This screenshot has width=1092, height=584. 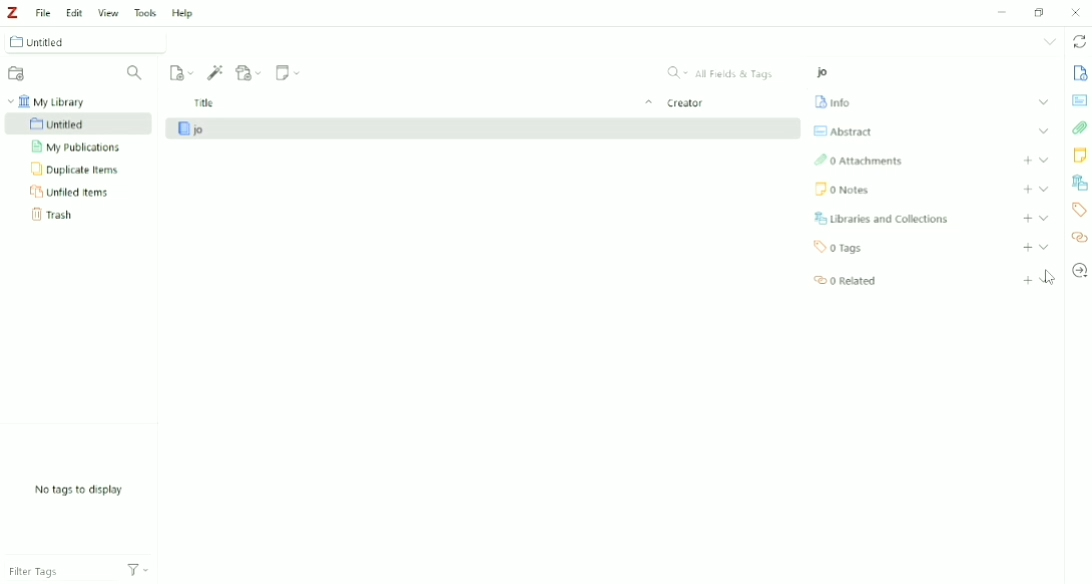 I want to click on Untitled Collection, so click(x=78, y=125).